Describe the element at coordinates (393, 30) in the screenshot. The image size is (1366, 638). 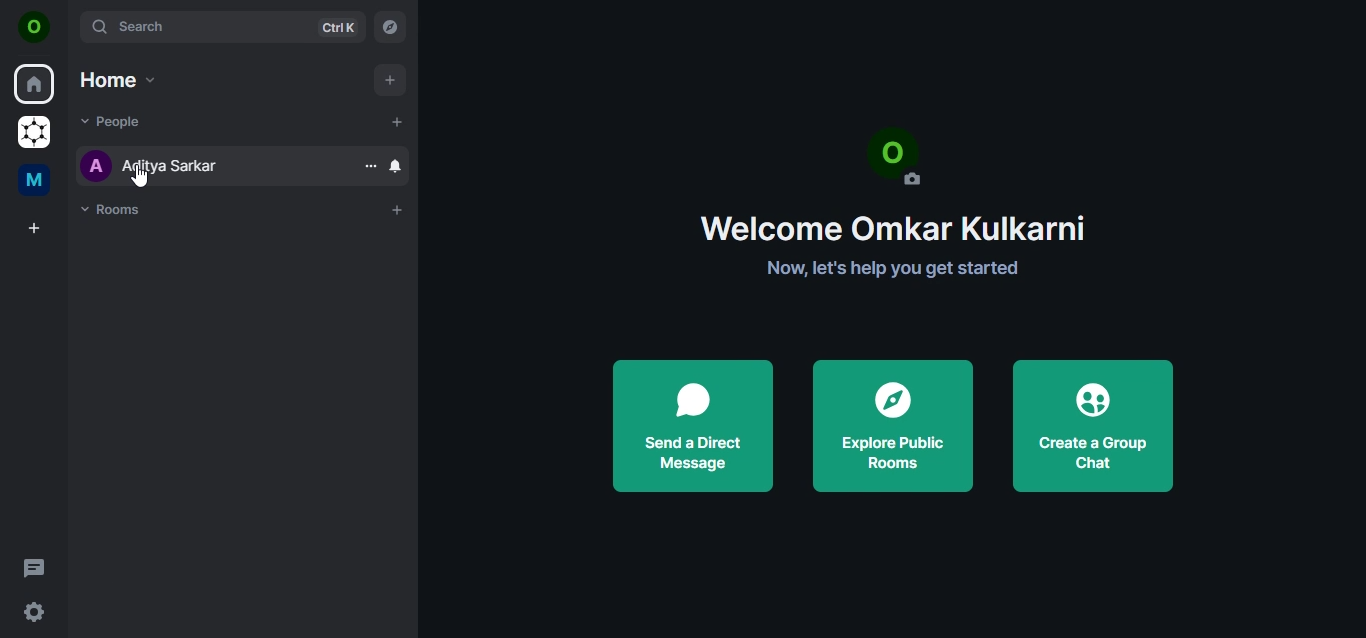
I see `explore room` at that location.